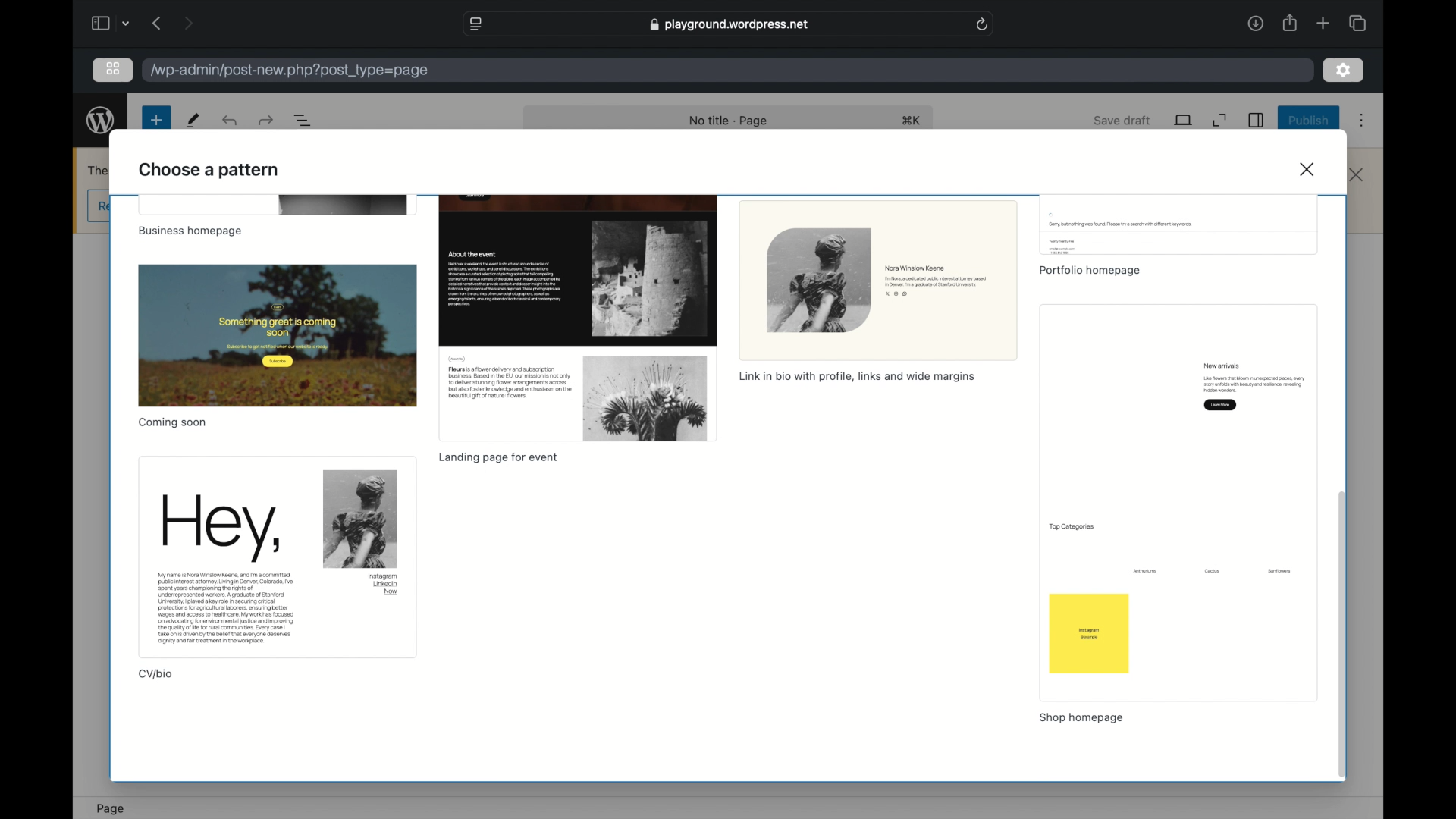  I want to click on publish, so click(1307, 121).